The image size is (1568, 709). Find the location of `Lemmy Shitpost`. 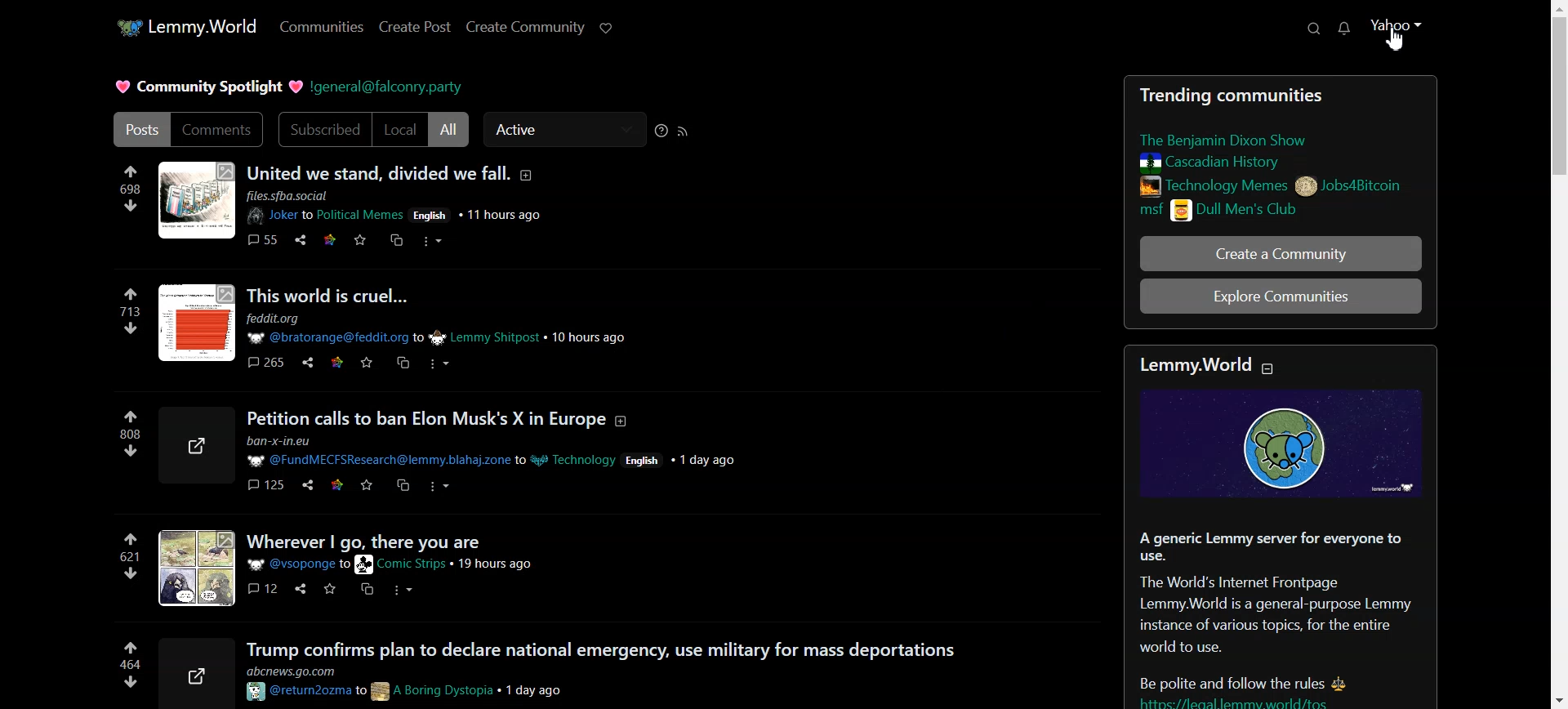

Lemmy Shitpost is located at coordinates (495, 339).